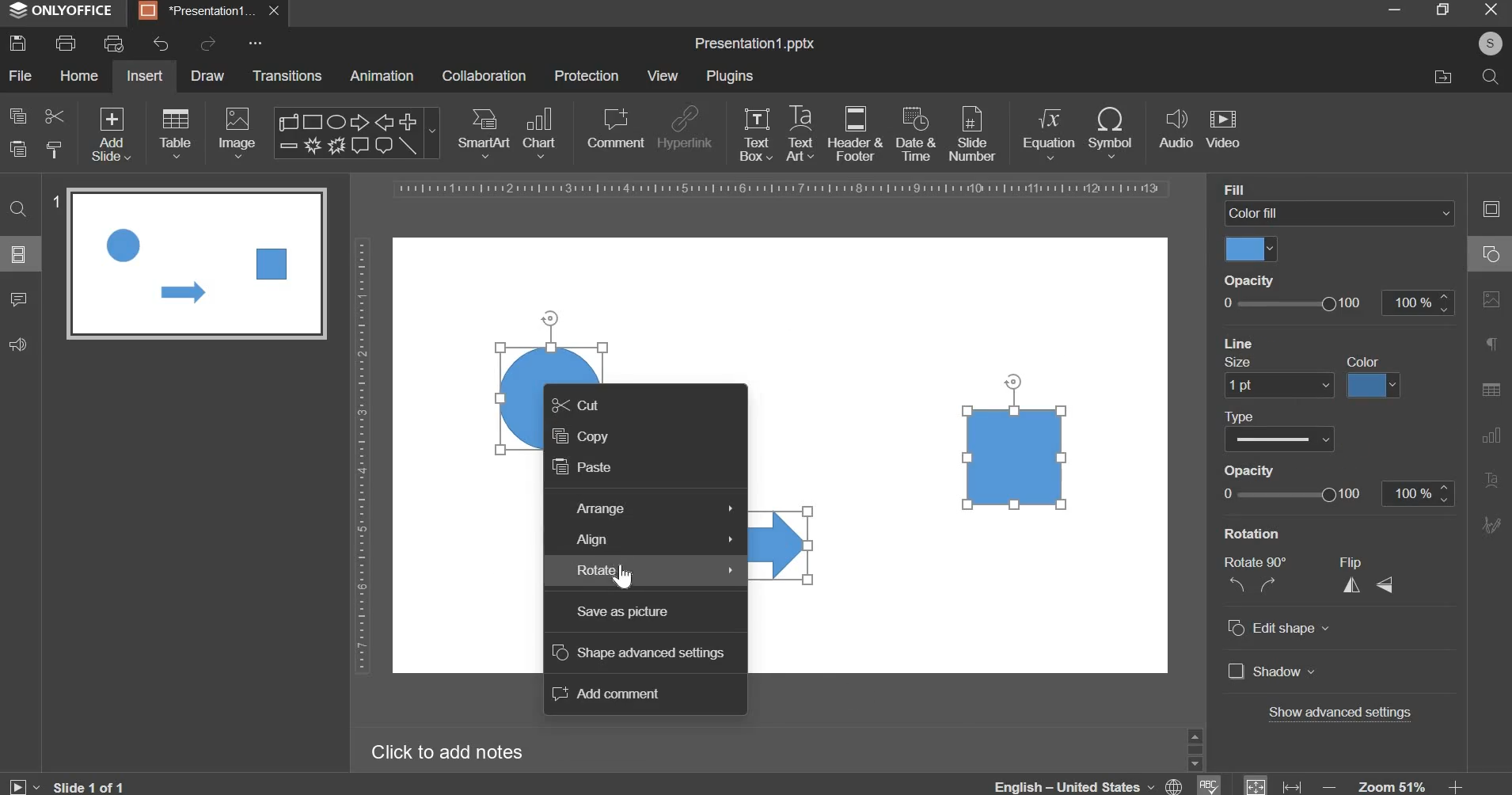  What do you see at coordinates (1357, 584) in the screenshot?
I see `flip horizontal` at bounding box center [1357, 584].